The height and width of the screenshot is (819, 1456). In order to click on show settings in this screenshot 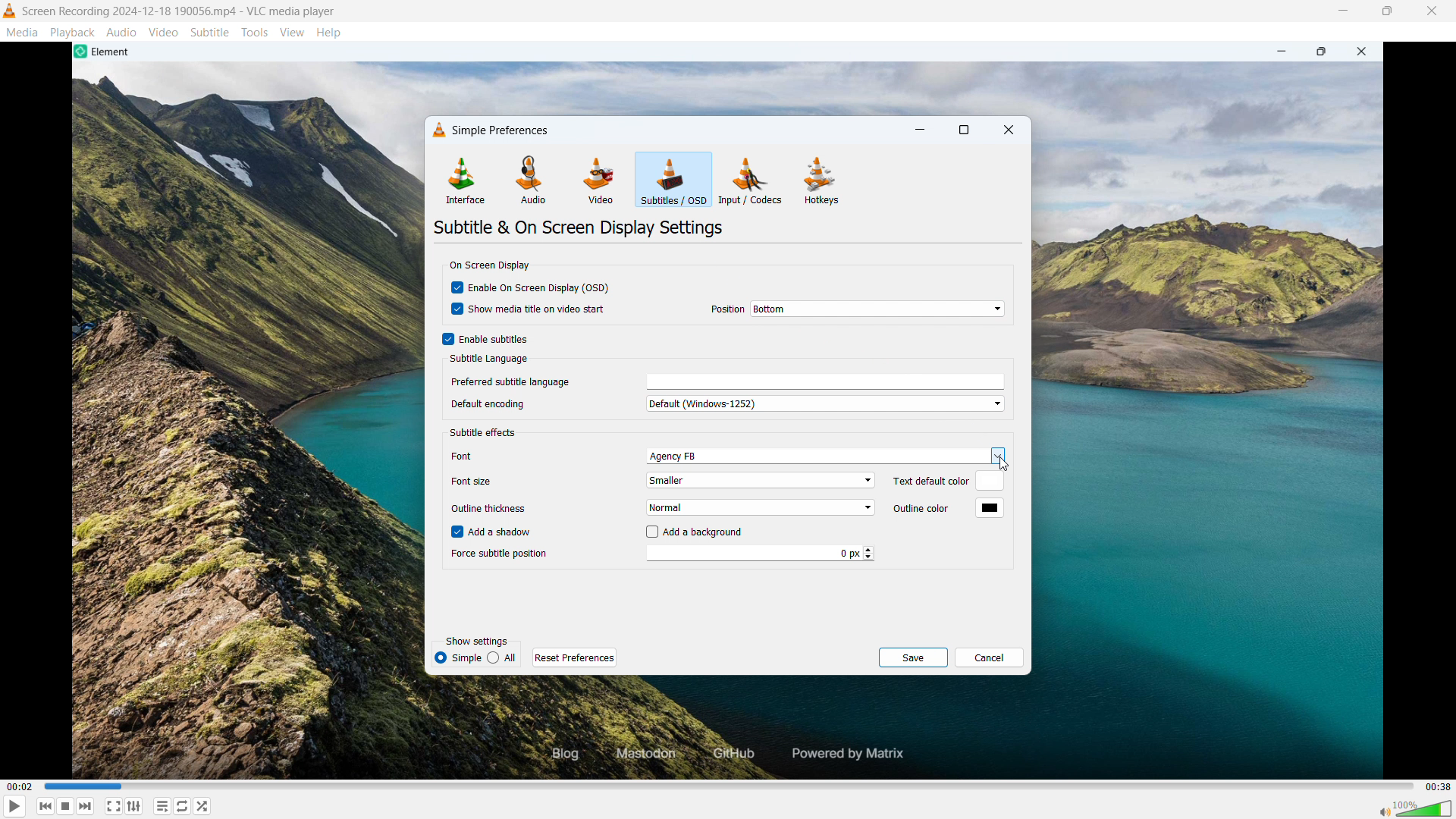, I will do `click(477, 642)`.